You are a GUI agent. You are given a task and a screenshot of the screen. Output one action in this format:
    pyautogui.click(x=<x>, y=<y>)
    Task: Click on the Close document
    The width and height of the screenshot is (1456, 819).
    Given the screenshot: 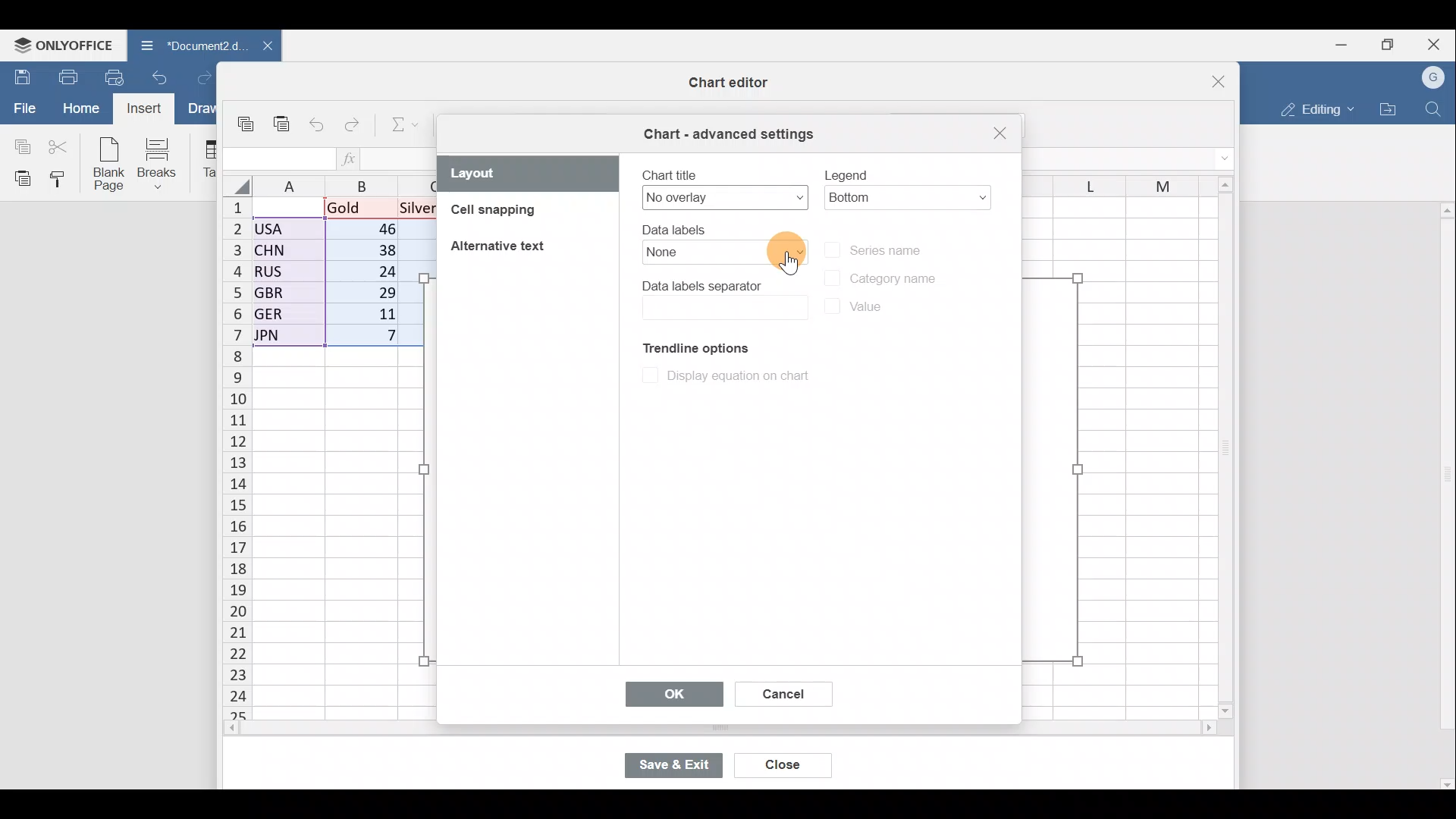 What is the action you would take?
    pyautogui.click(x=265, y=47)
    